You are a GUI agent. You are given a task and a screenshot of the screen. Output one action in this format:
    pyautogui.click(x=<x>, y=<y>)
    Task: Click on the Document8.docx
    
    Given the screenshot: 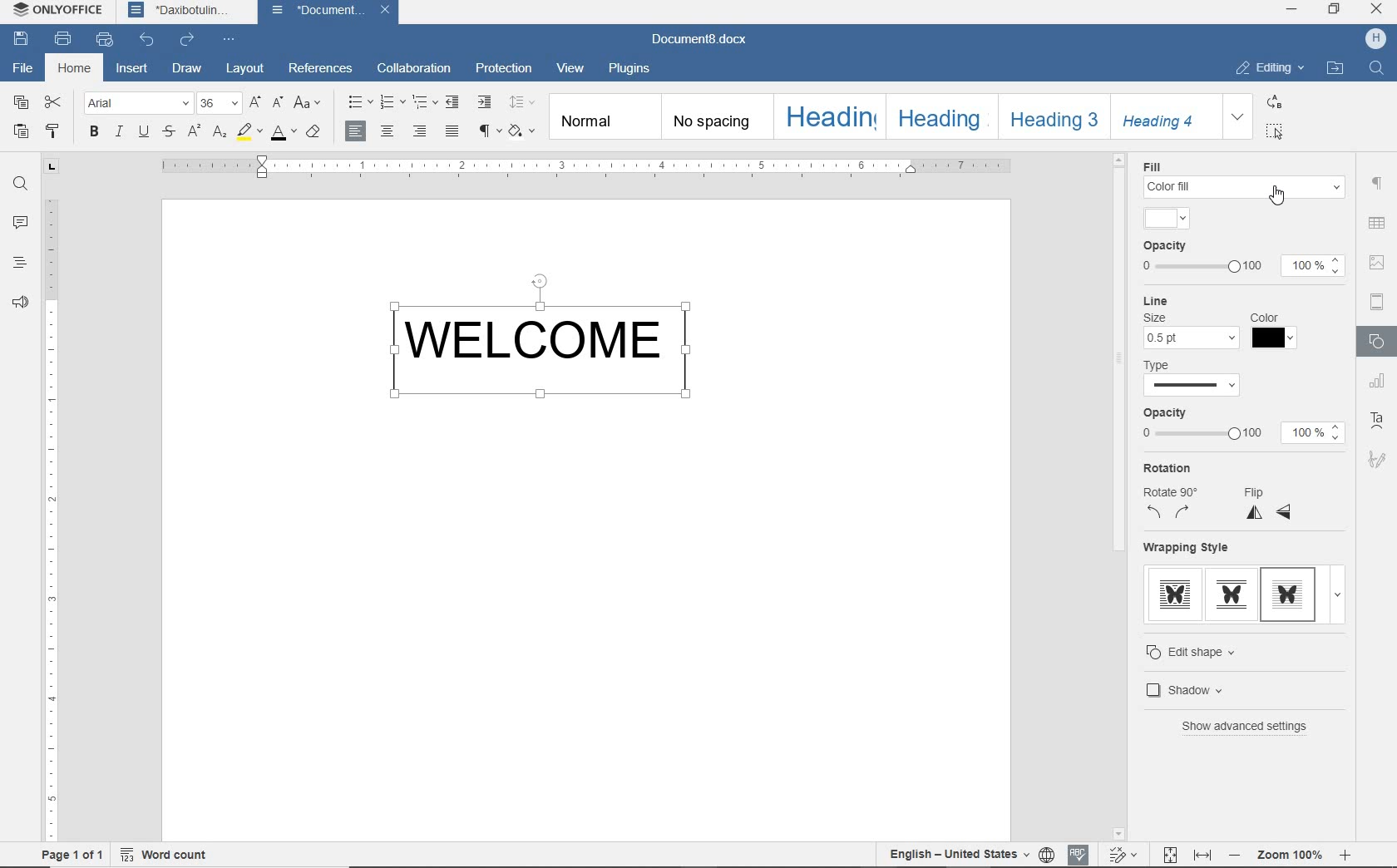 What is the action you would take?
    pyautogui.click(x=697, y=40)
    